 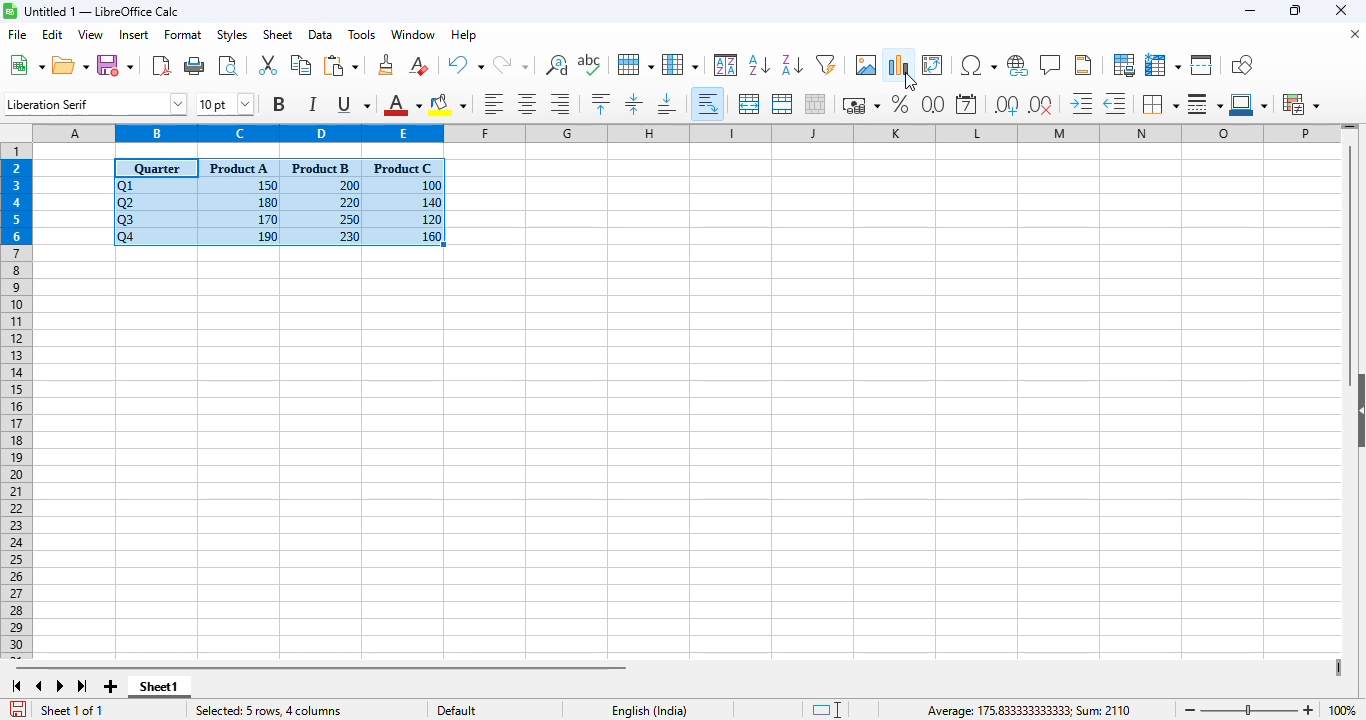 What do you see at coordinates (560, 103) in the screenshot?
I see `align right` at bounding box center [560, 103].